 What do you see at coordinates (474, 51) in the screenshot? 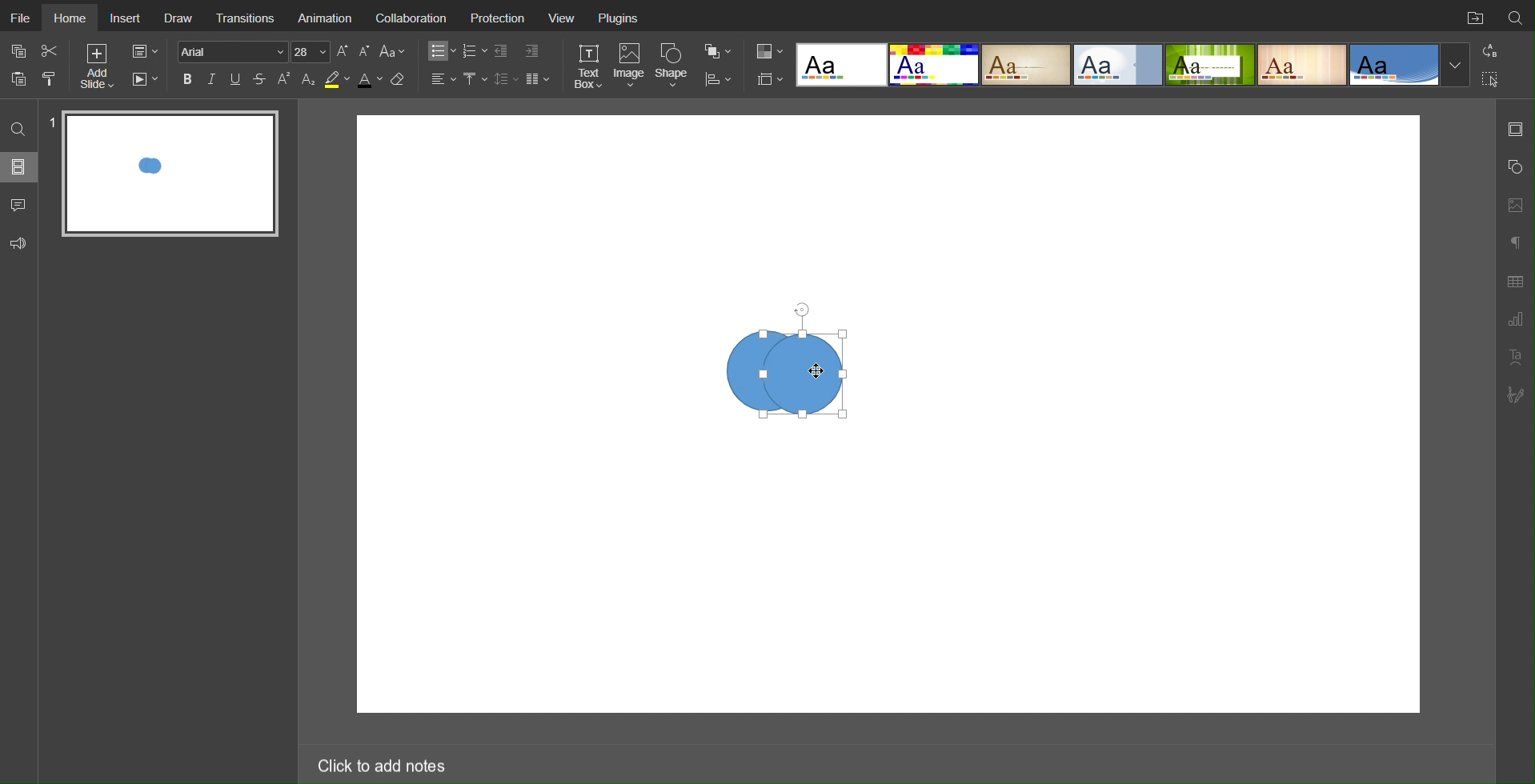
I see `Number List` at bounding box center [474, 51].